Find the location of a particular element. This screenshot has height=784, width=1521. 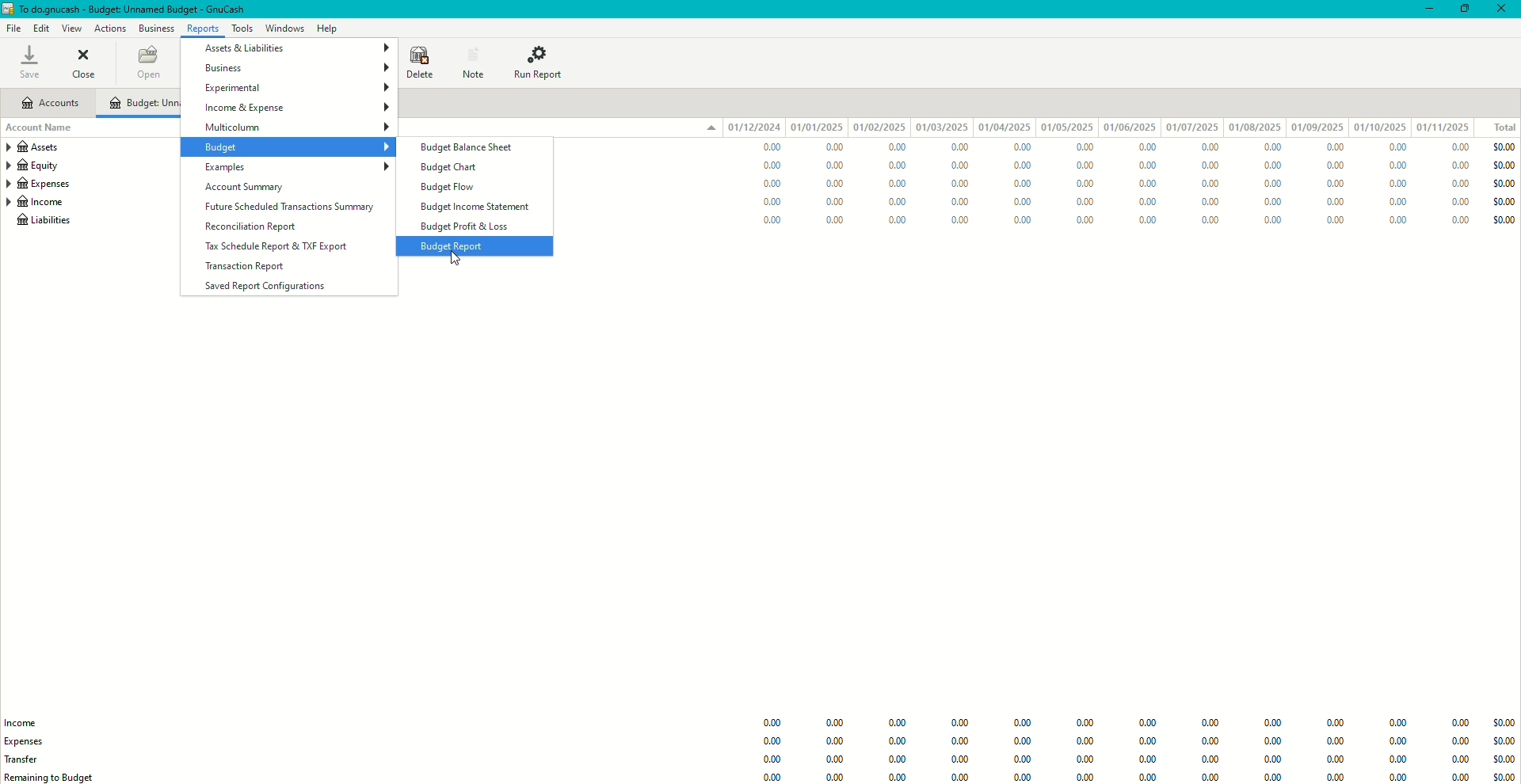

0.00 is located at coordinates (776, 722).